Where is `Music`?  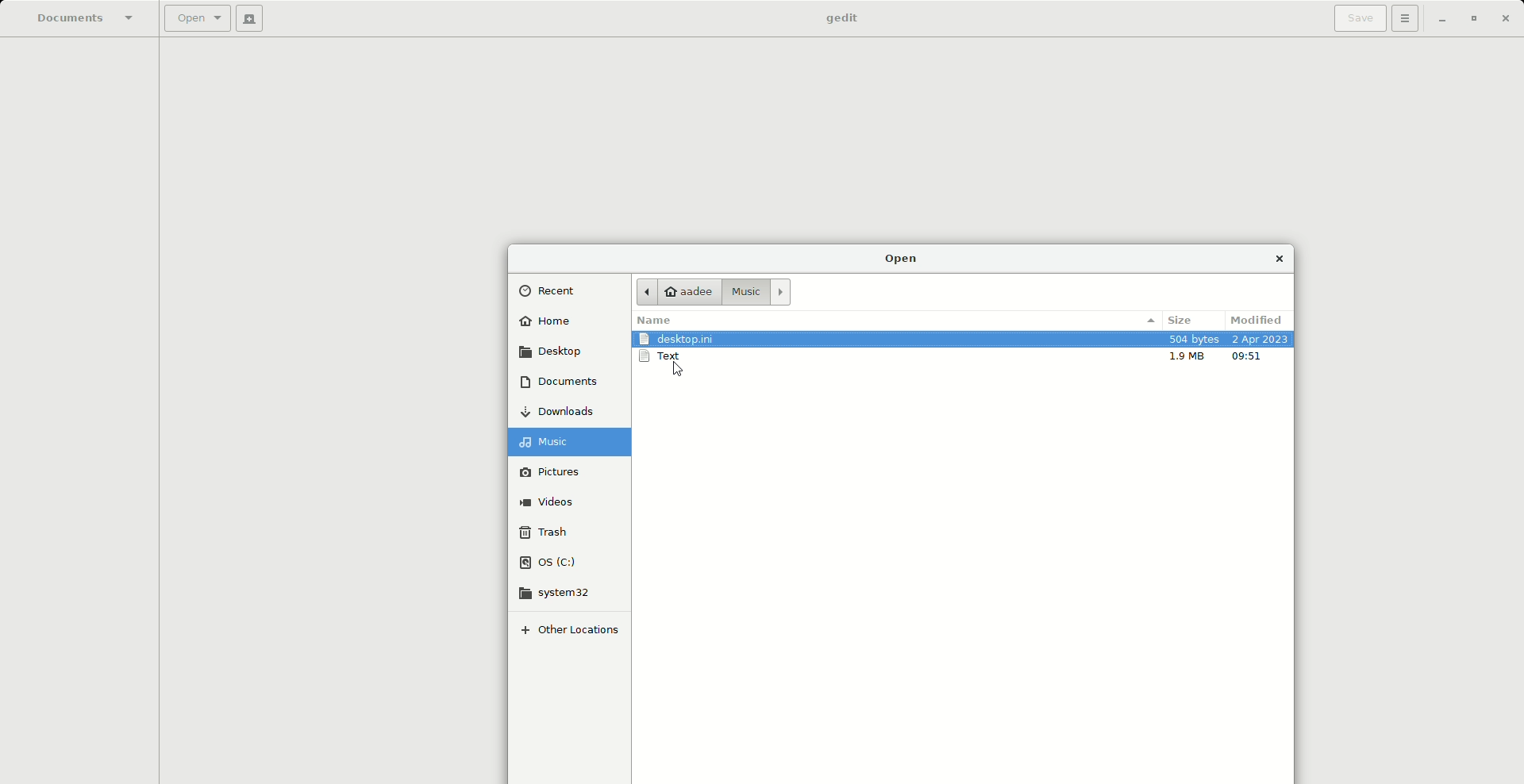 Music is located at coordinates (571, 441).